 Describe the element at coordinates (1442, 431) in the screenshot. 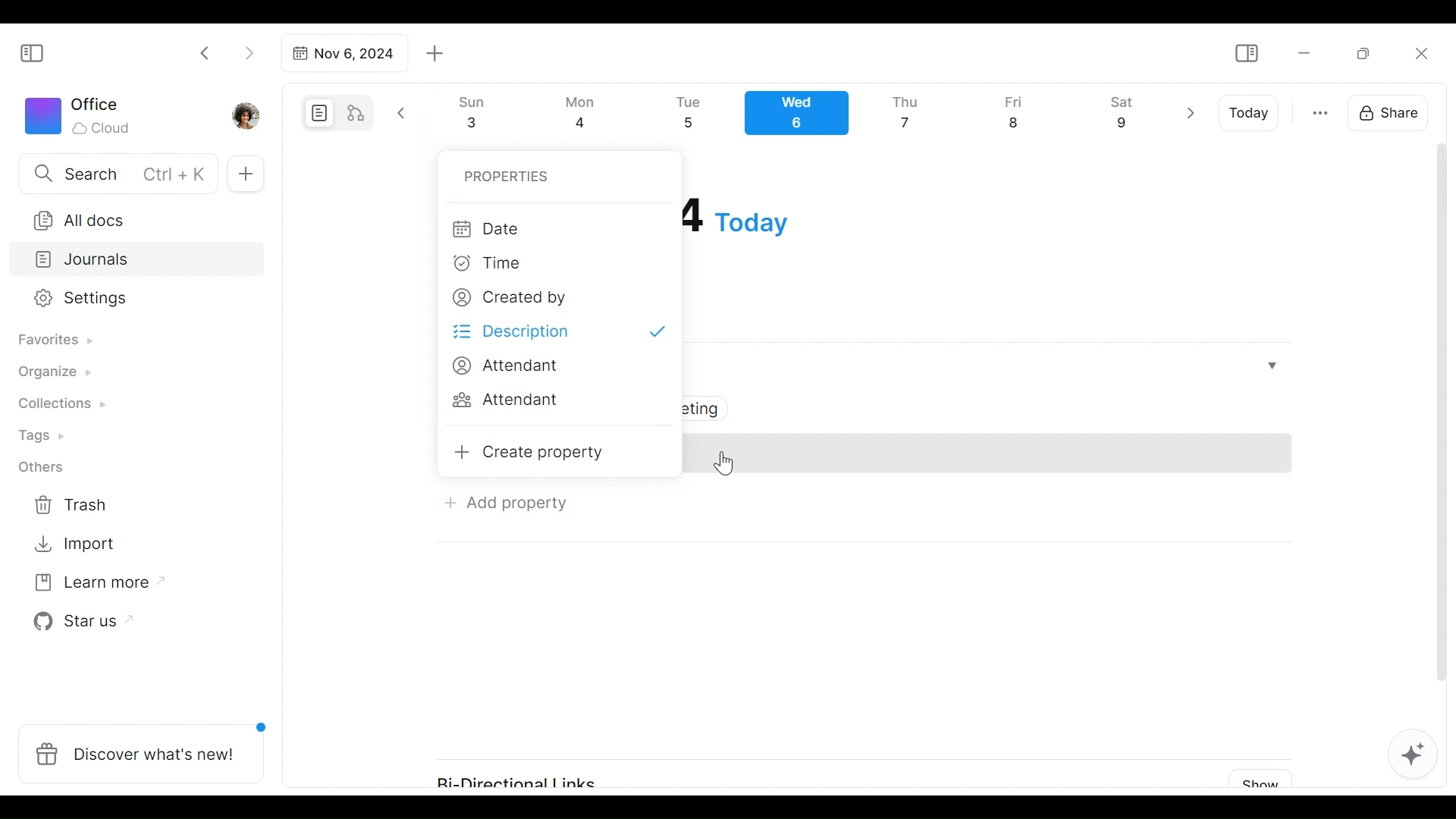

I see `vertical scrollbar` at that location.